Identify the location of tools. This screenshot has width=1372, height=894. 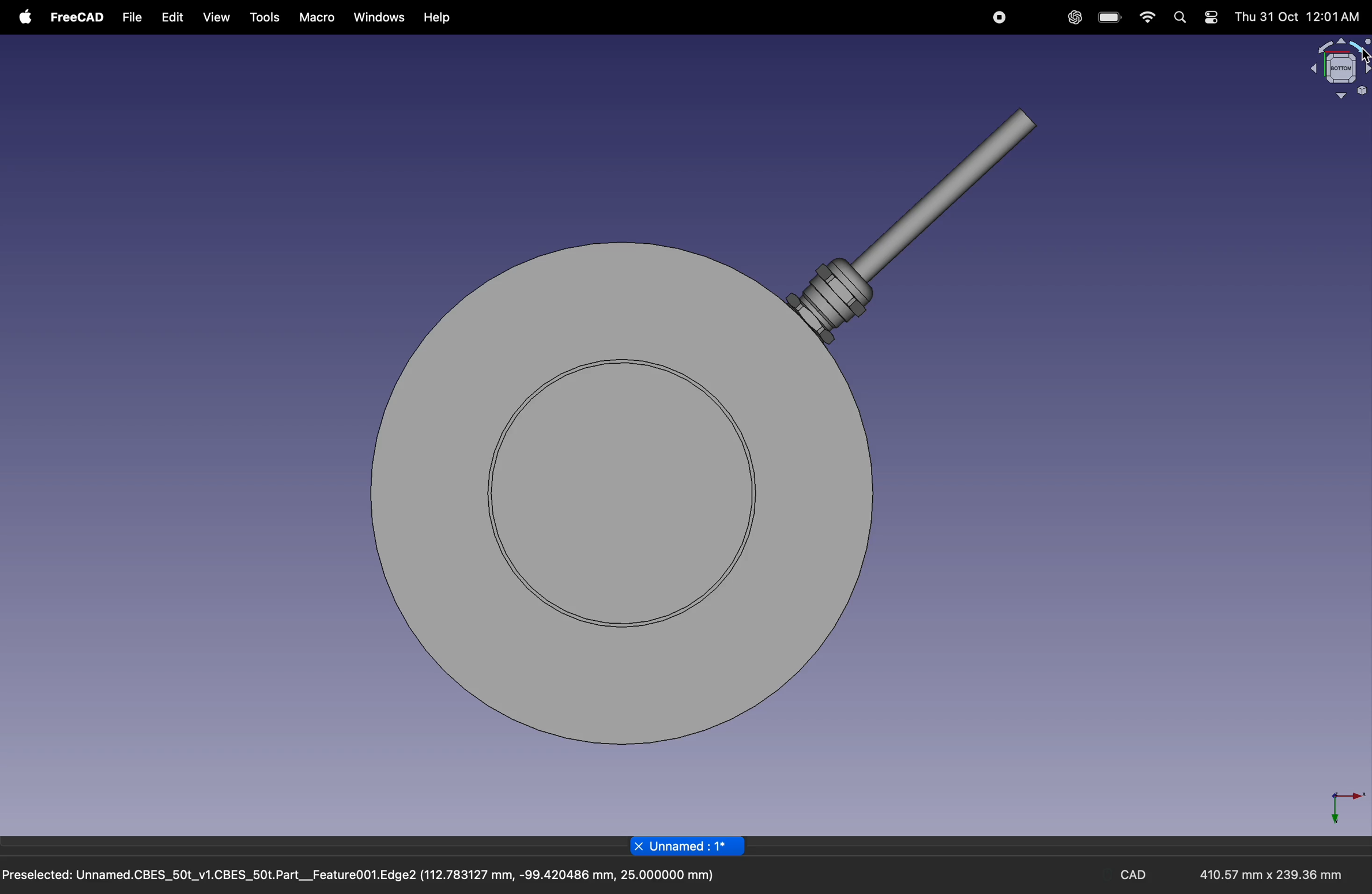
(263, 18).